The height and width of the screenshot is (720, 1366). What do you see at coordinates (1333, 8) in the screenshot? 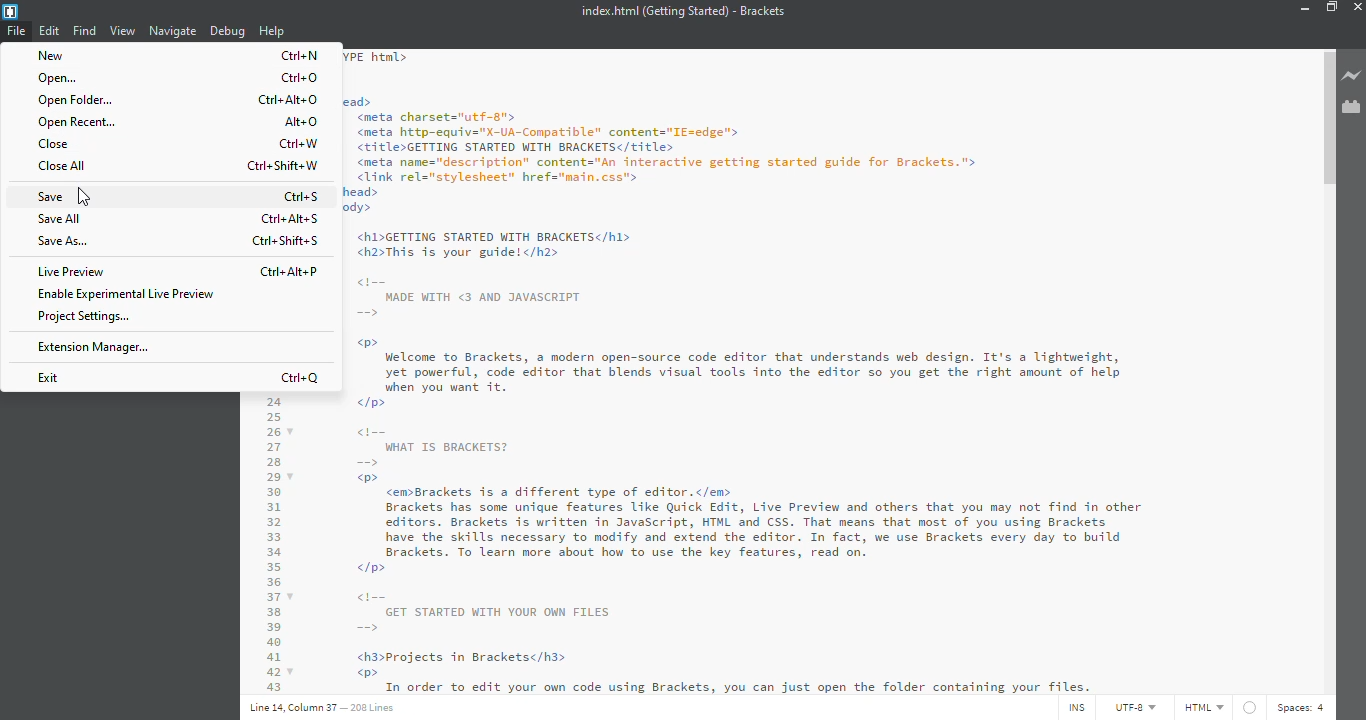
I see `maximize` at bounding box center [1333, 8].